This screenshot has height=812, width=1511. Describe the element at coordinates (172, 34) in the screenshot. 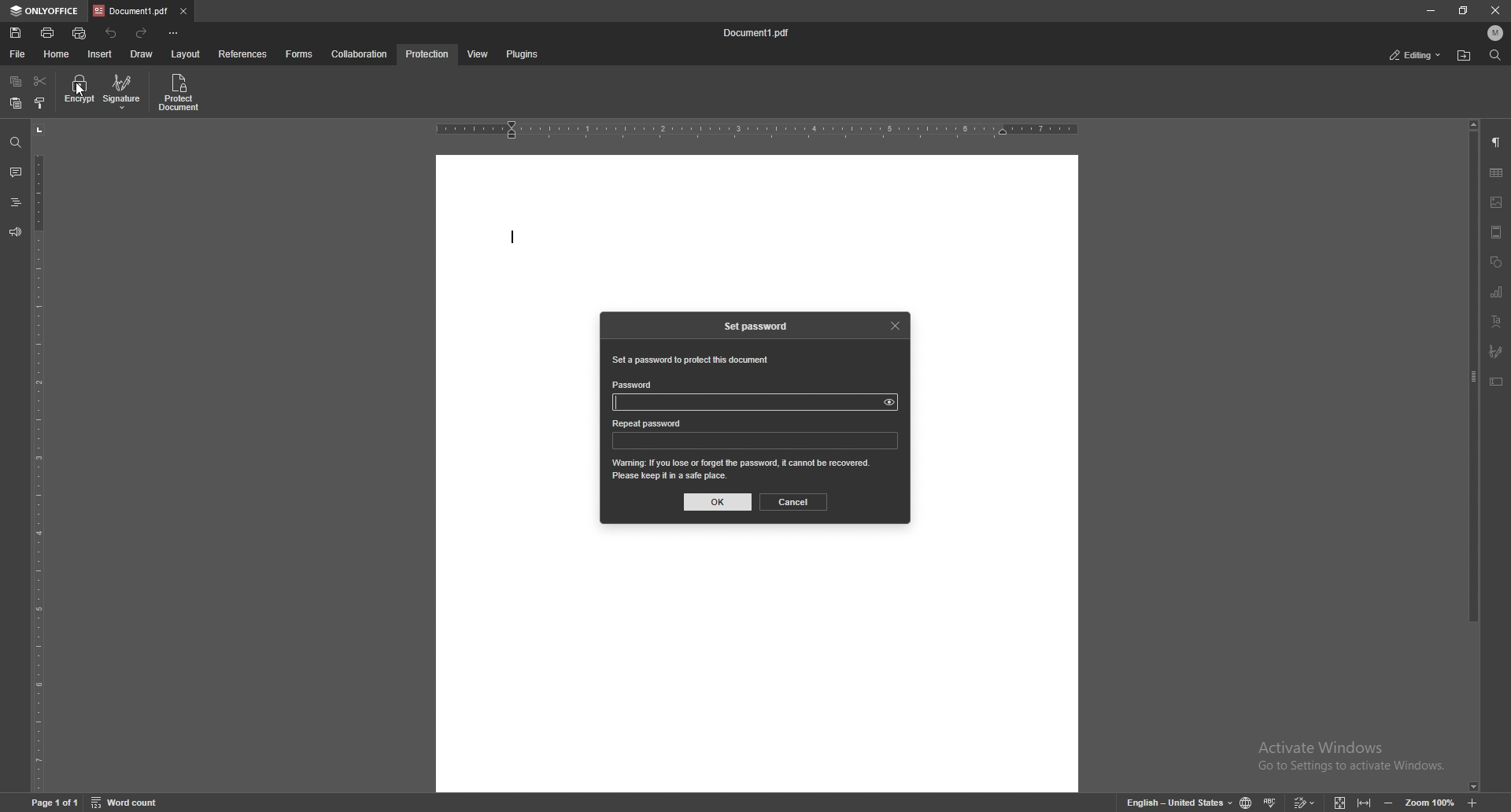

I see `customize toolbar` at that location.